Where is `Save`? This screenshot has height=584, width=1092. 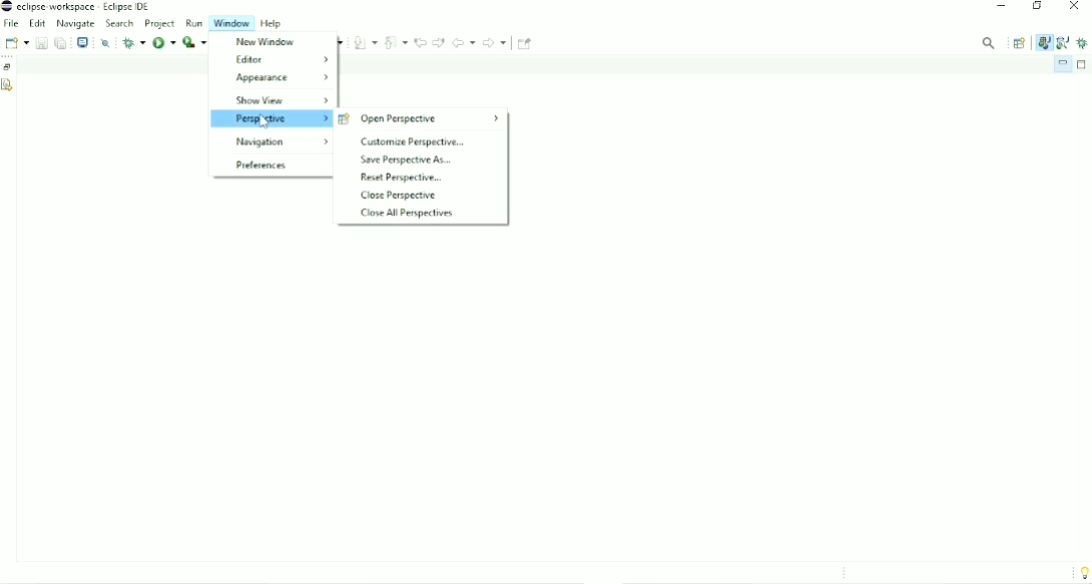 Save is located at coordinates (40, 43).